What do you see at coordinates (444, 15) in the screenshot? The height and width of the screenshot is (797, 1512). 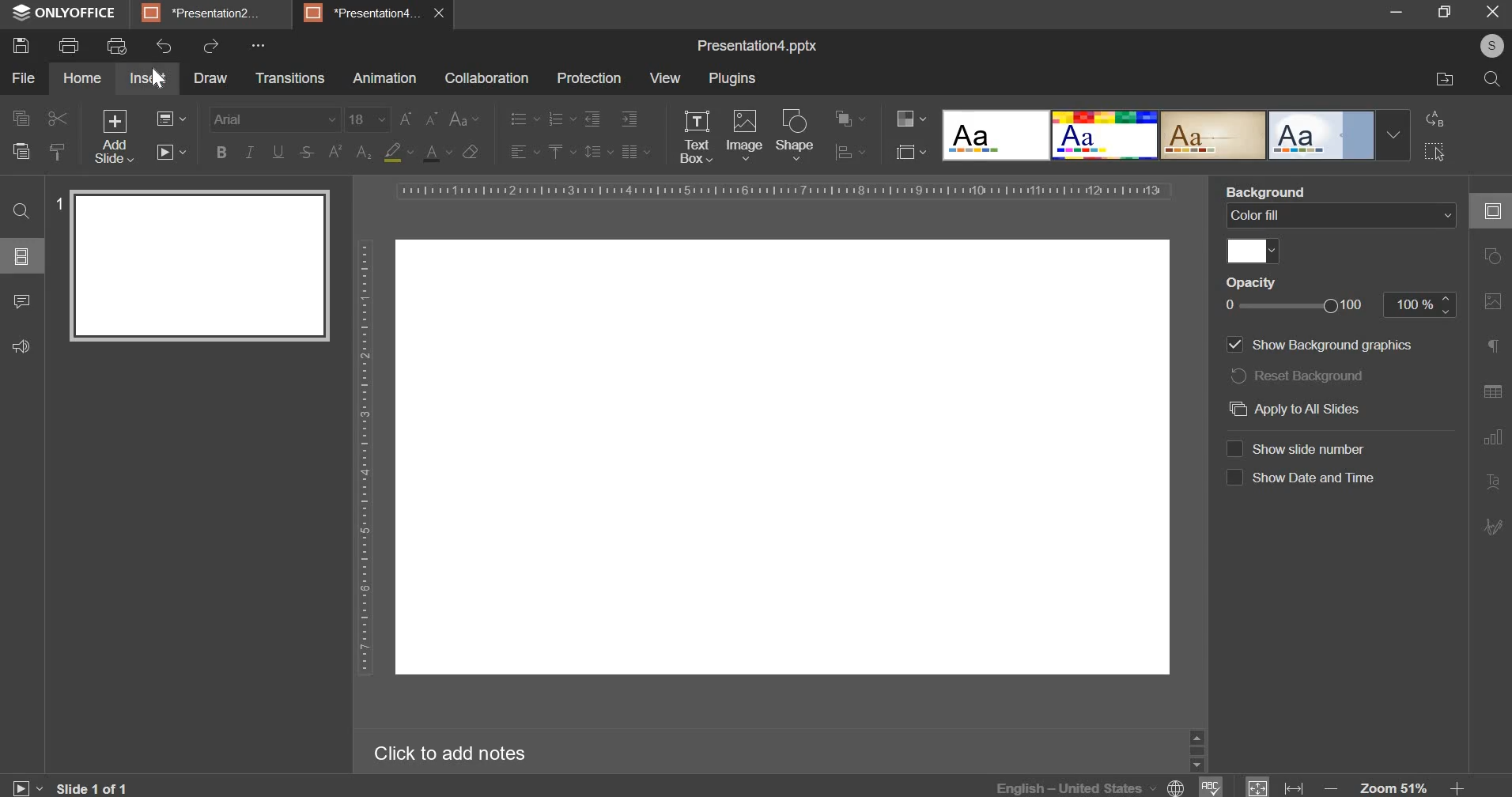 I see `close` at bounding box center [444, 15].